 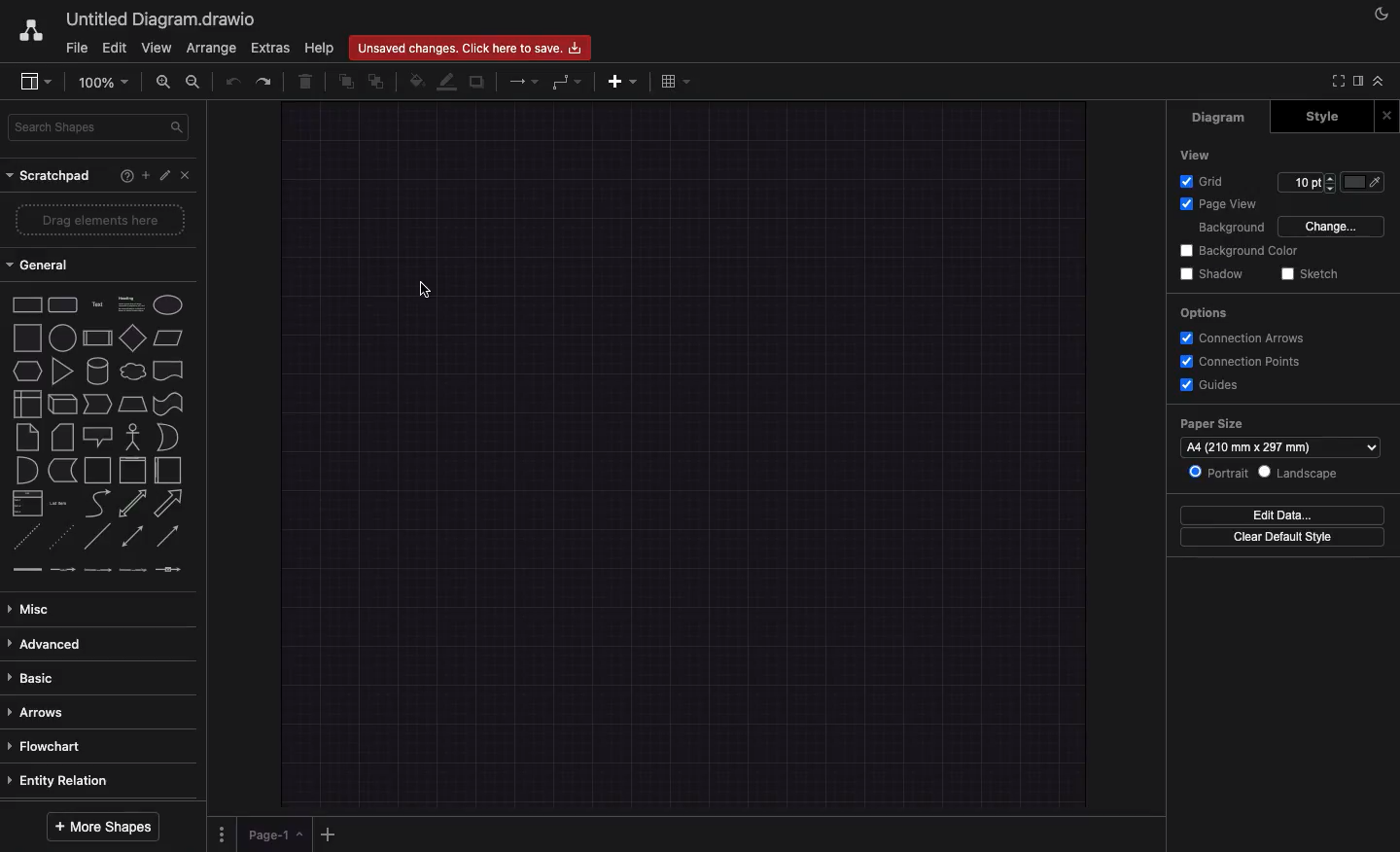 What do you see at coordinates (169, 305) in the screenshot?
I see `ellipse` at bounding box center [169, 305].